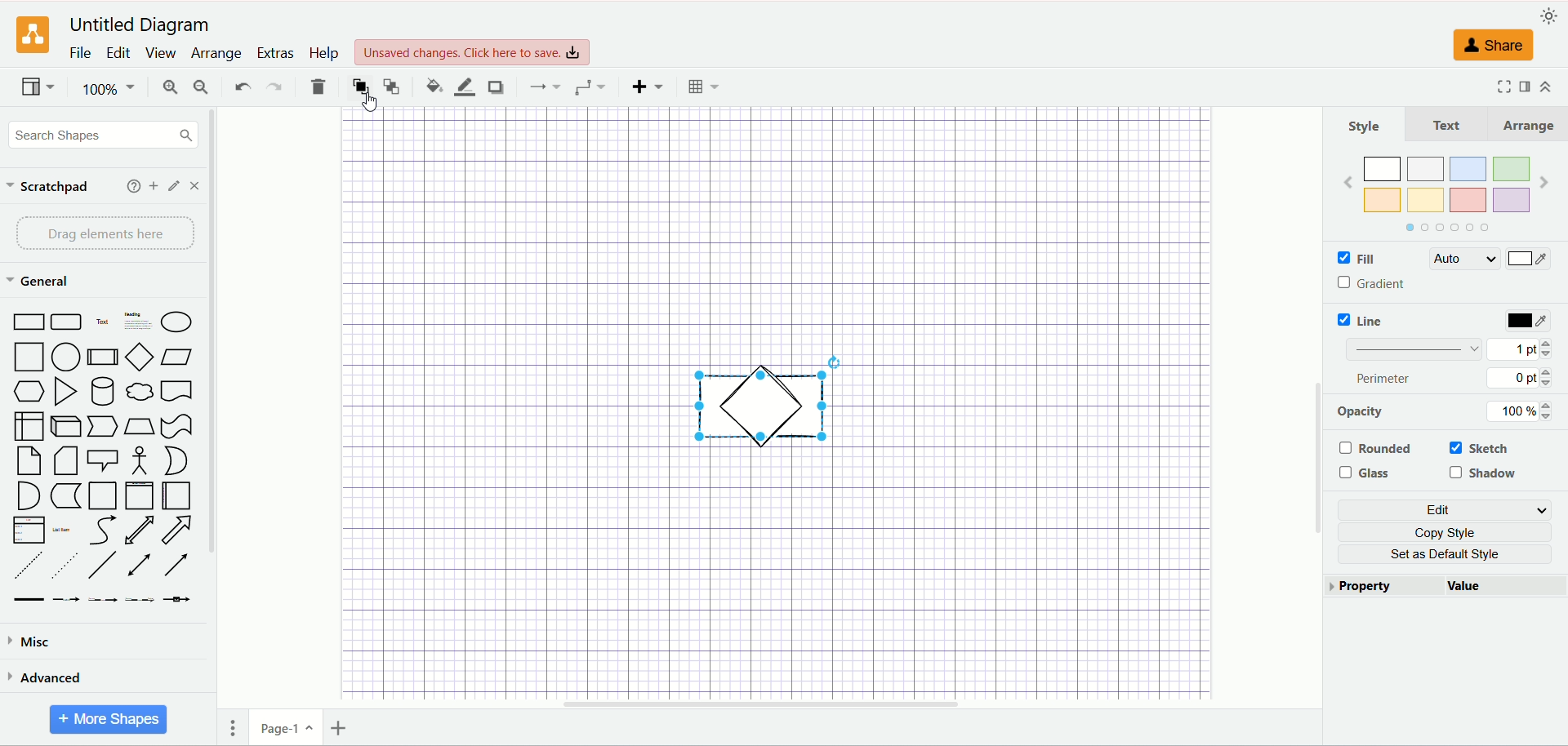 The width and height of the screenshot is (1568, 746). Describe the element at coordinates (1388, 282) in the screenshot. I see `gradient` at that location.